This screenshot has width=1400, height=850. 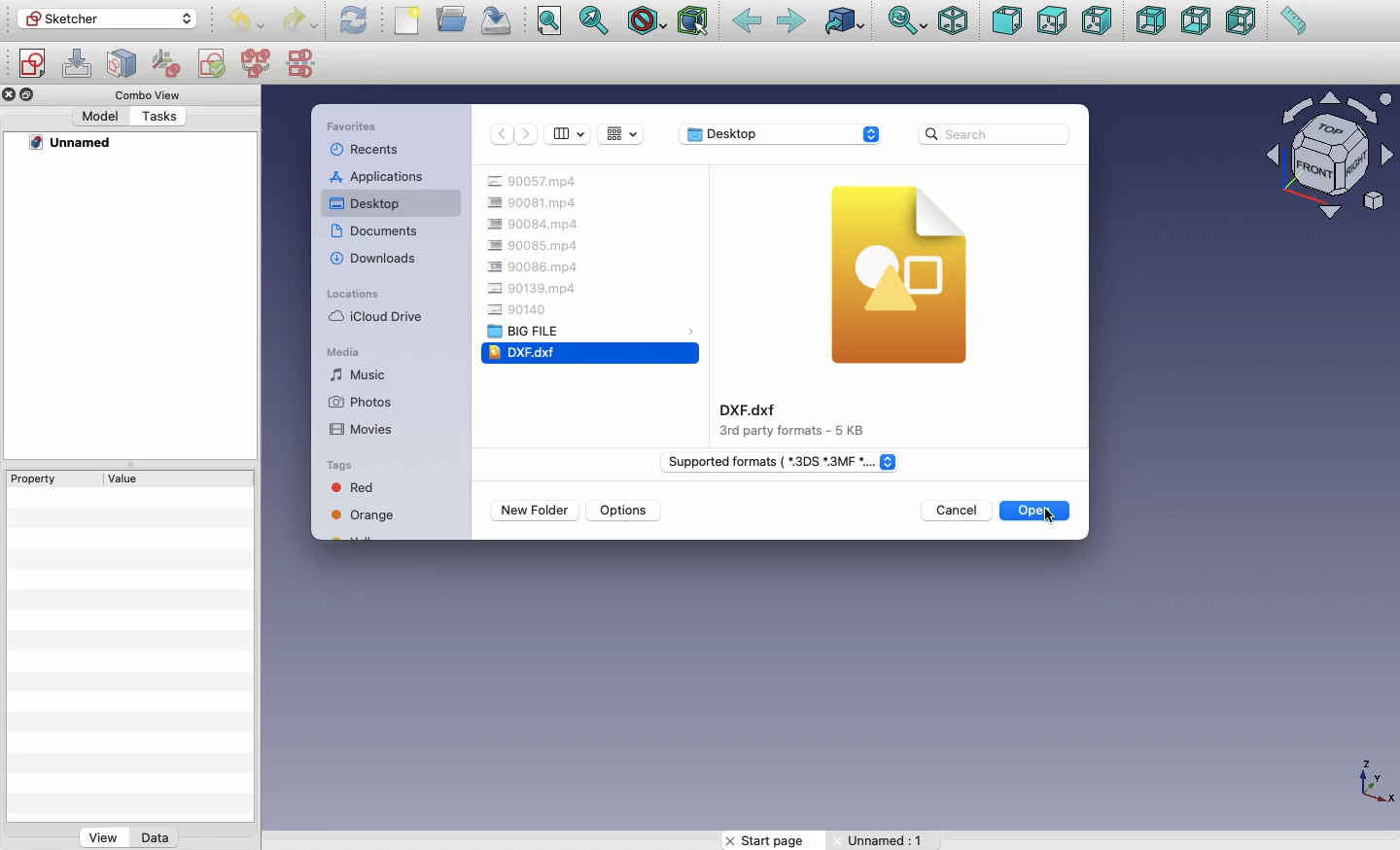 What do you see at coordinates (594, 20) in the screenshot?
I see `Fit selection` at bounding box center [594, 20].